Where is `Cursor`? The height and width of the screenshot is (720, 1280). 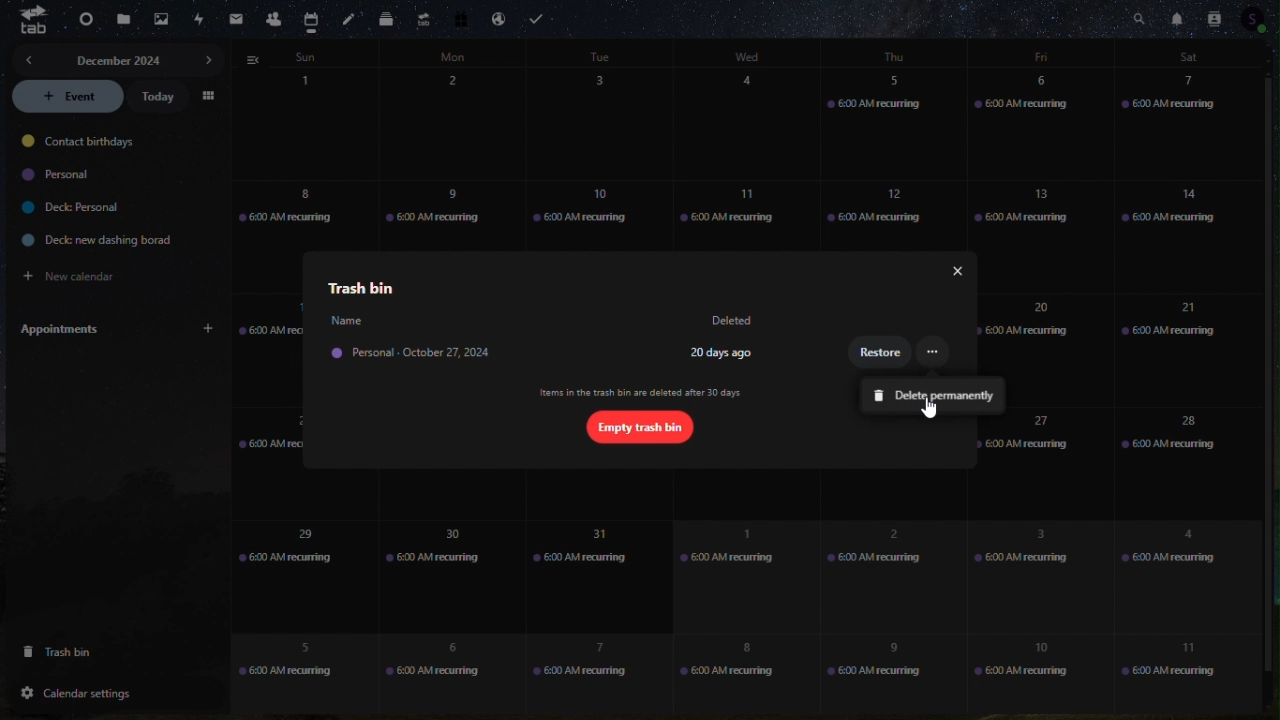 Cursor is located at coordinates (930, 408).